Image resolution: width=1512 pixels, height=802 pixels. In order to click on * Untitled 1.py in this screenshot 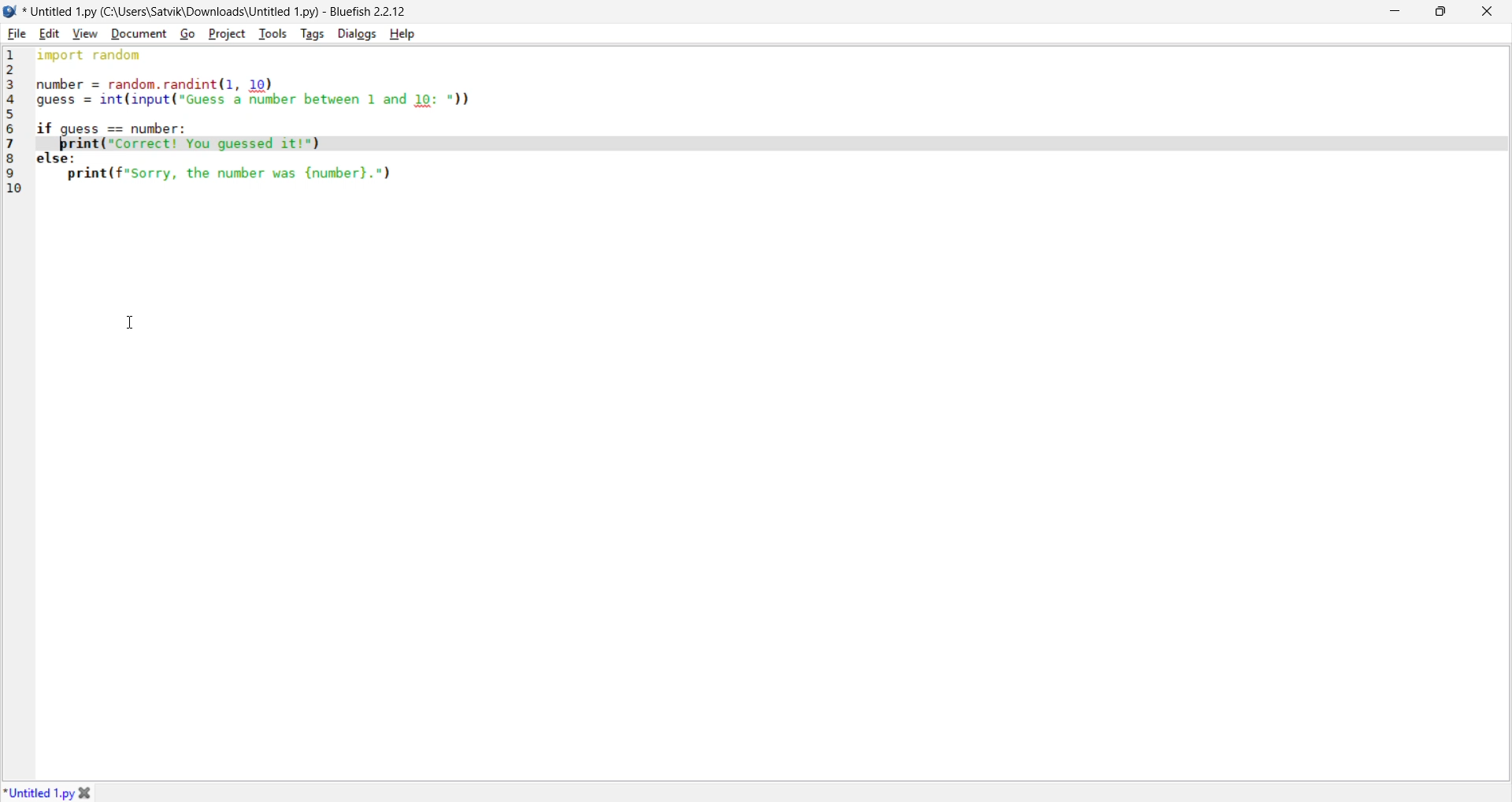, I will do `click(39, 791)`.